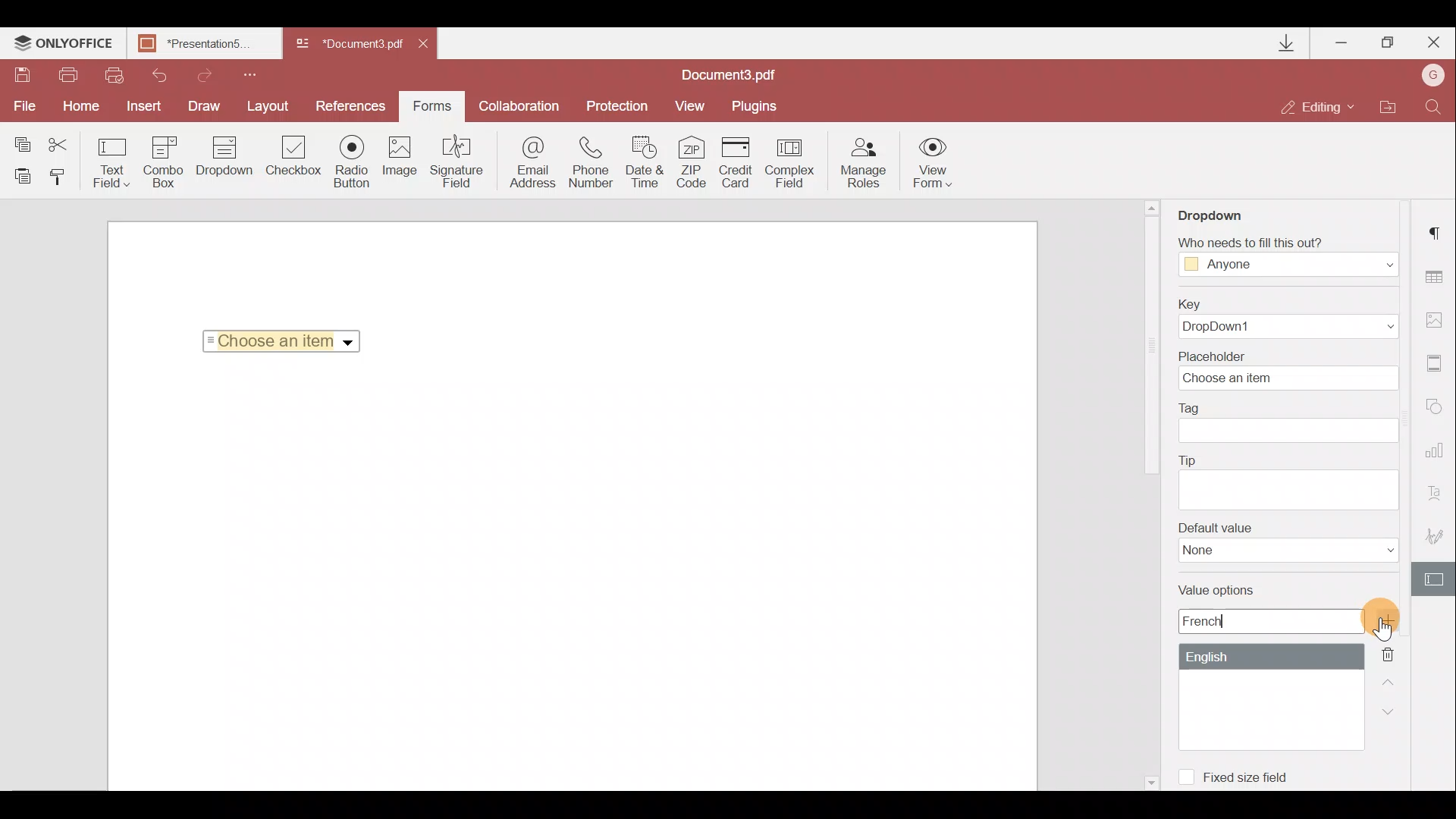  Describe the element at coordinates (352, 161) in the screenshot. I see `Radio button` at that location.